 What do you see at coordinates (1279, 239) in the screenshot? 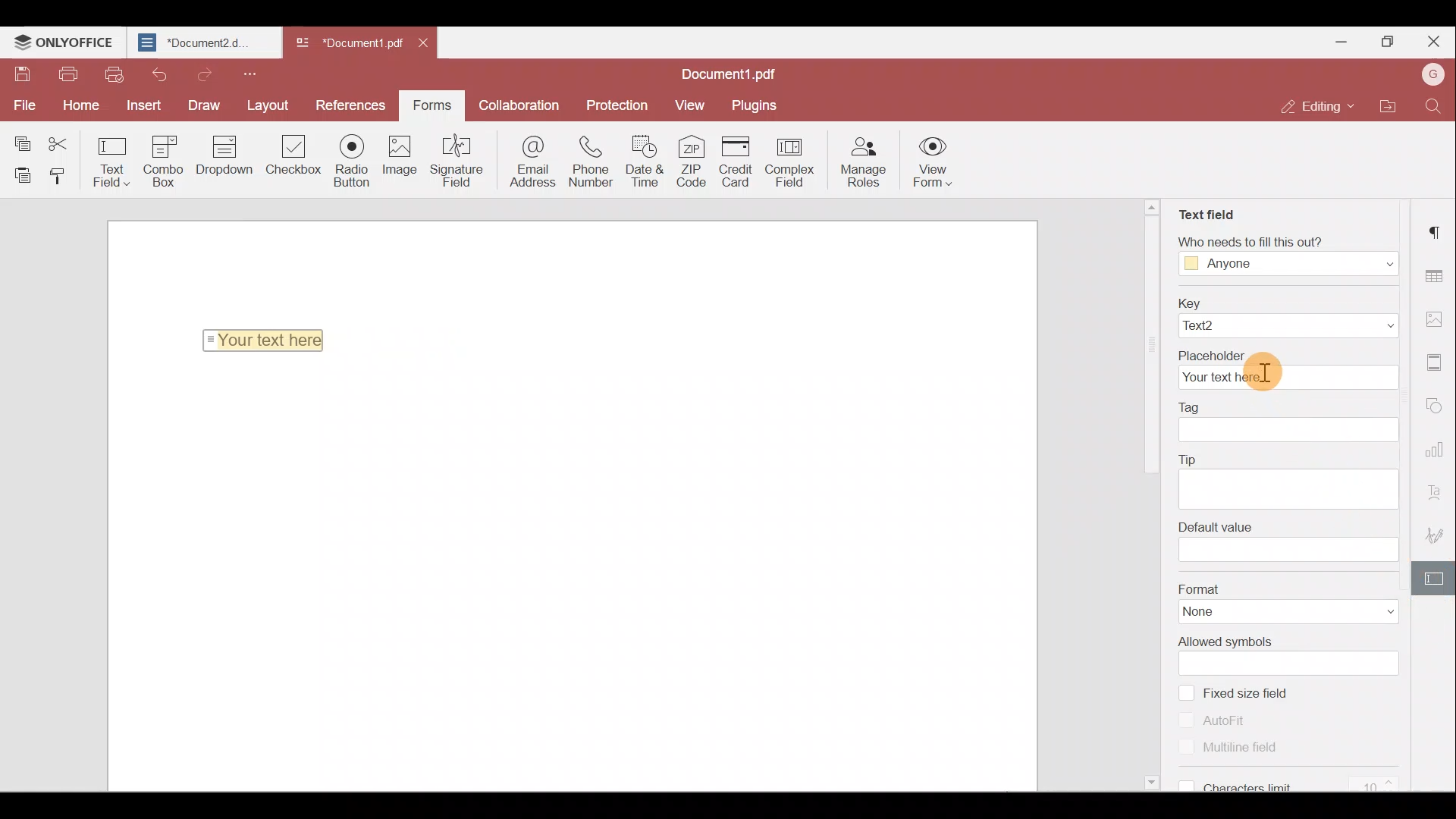
I see `Who needs to fill this out?` at bounding box center [1279, 239].